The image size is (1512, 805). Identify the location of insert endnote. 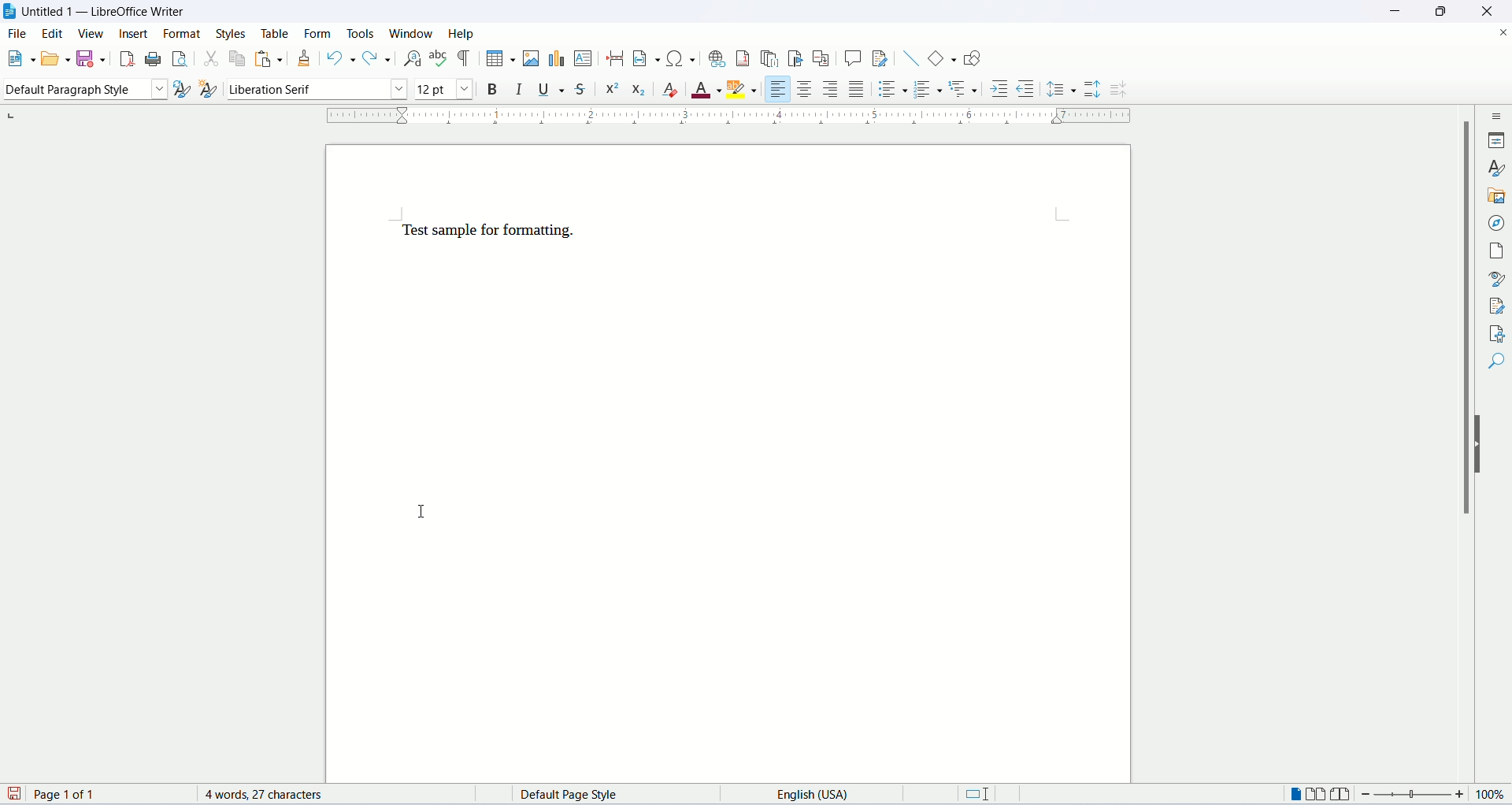
(772, 57).